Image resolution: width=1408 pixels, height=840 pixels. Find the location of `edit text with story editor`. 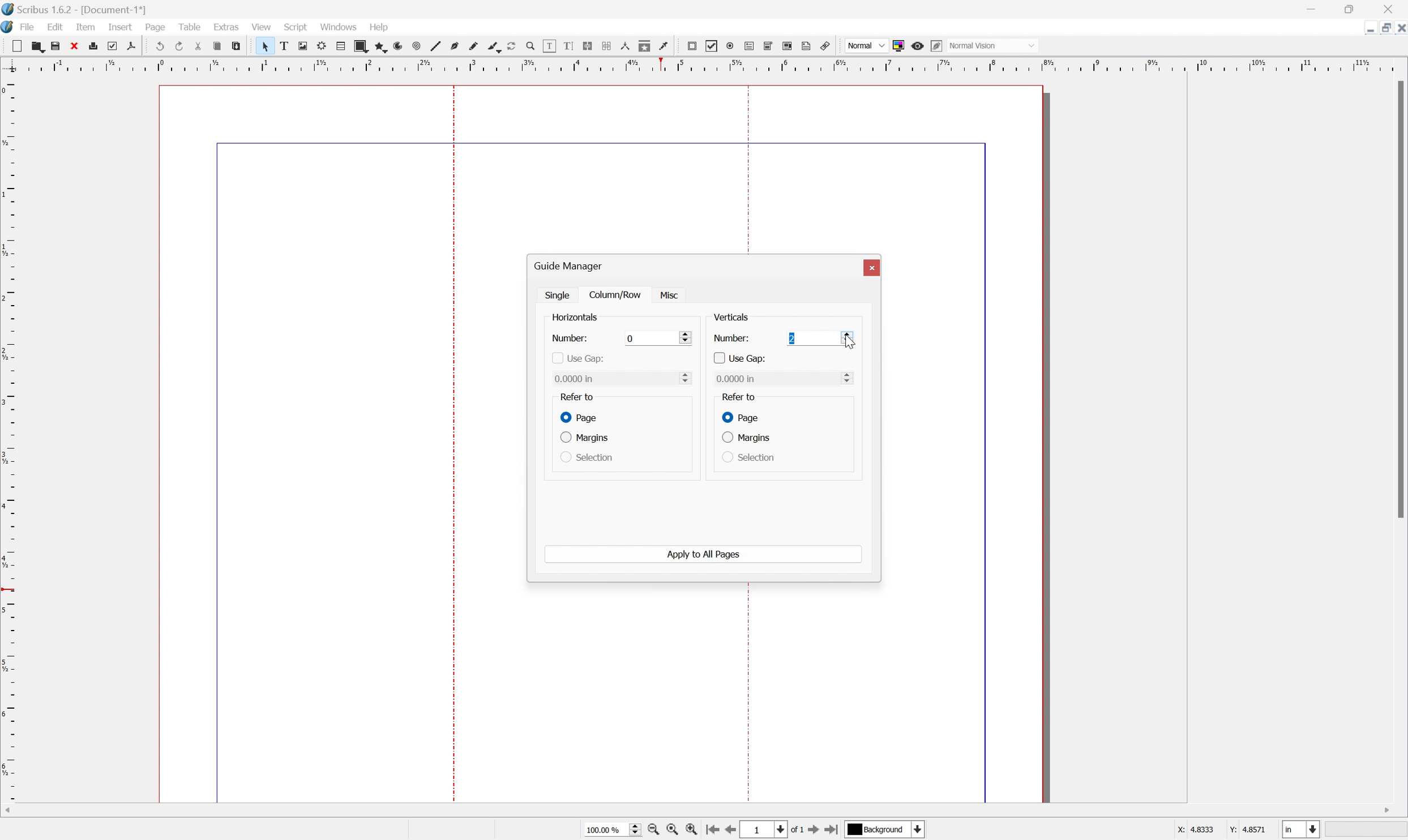

edit text with story editor is located at coordinates (570, 46).